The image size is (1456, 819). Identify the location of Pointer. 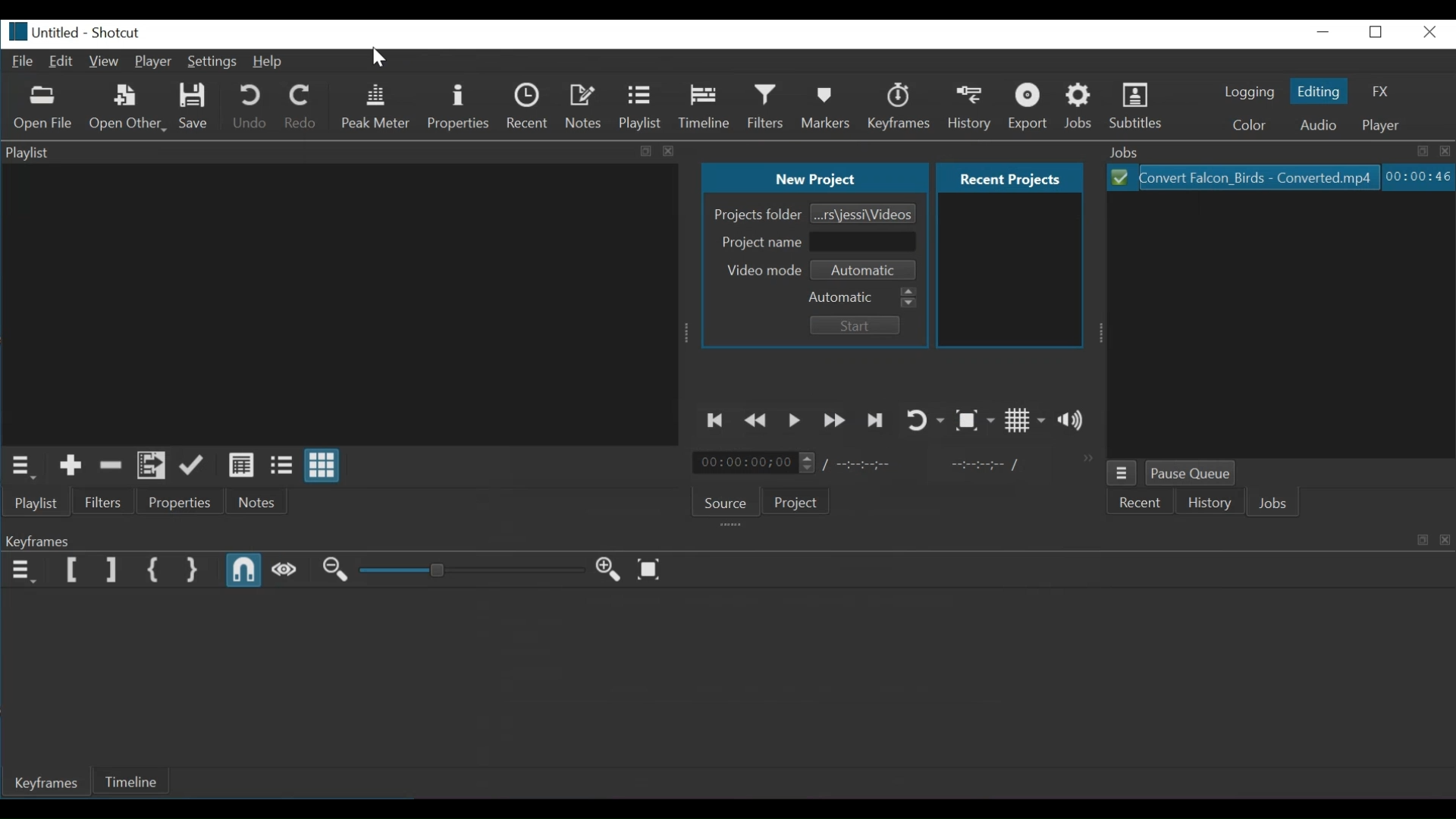
(377, 60).